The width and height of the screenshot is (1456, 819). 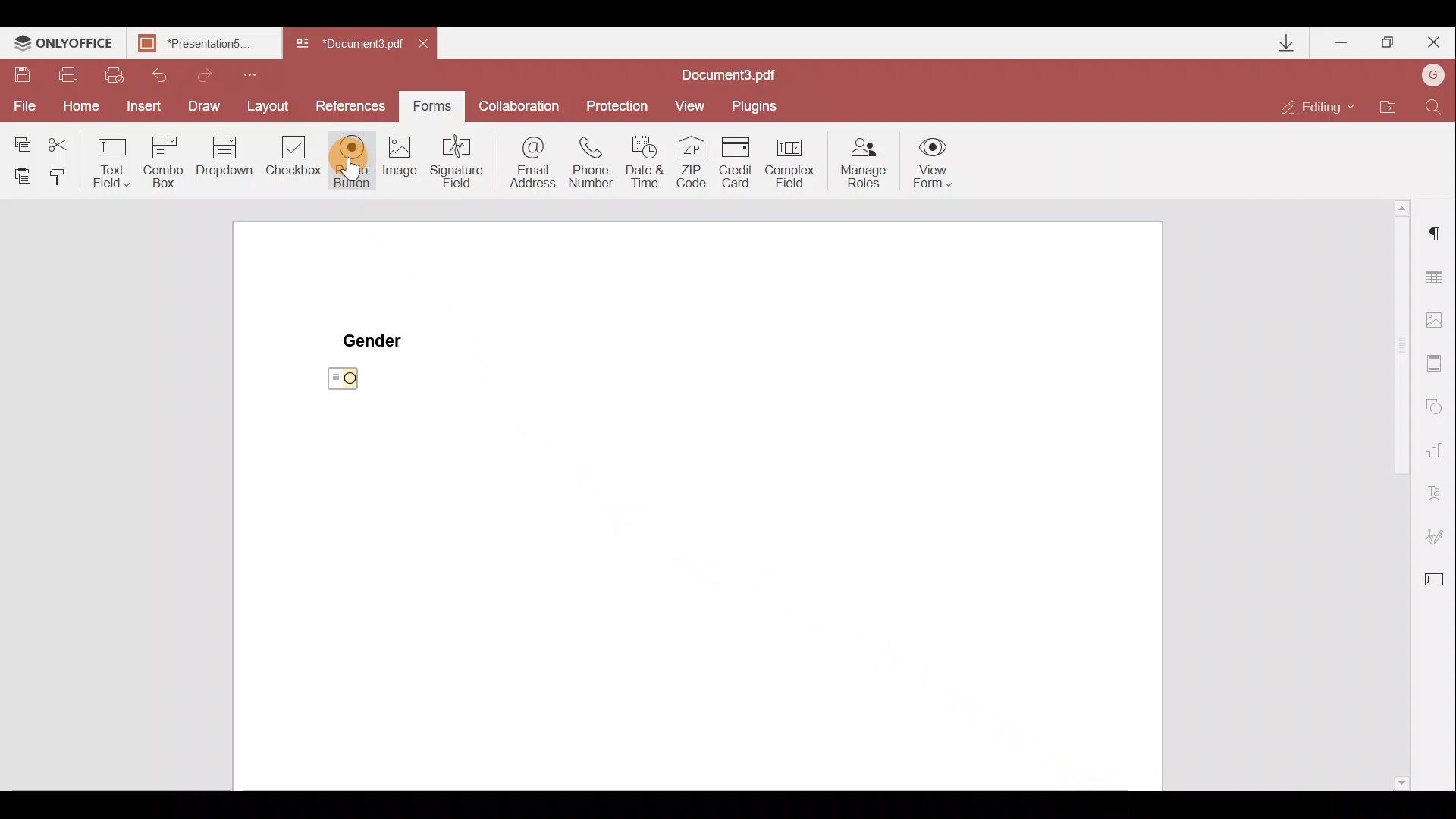 I want to click on Email address, so click(x=531, y=163).